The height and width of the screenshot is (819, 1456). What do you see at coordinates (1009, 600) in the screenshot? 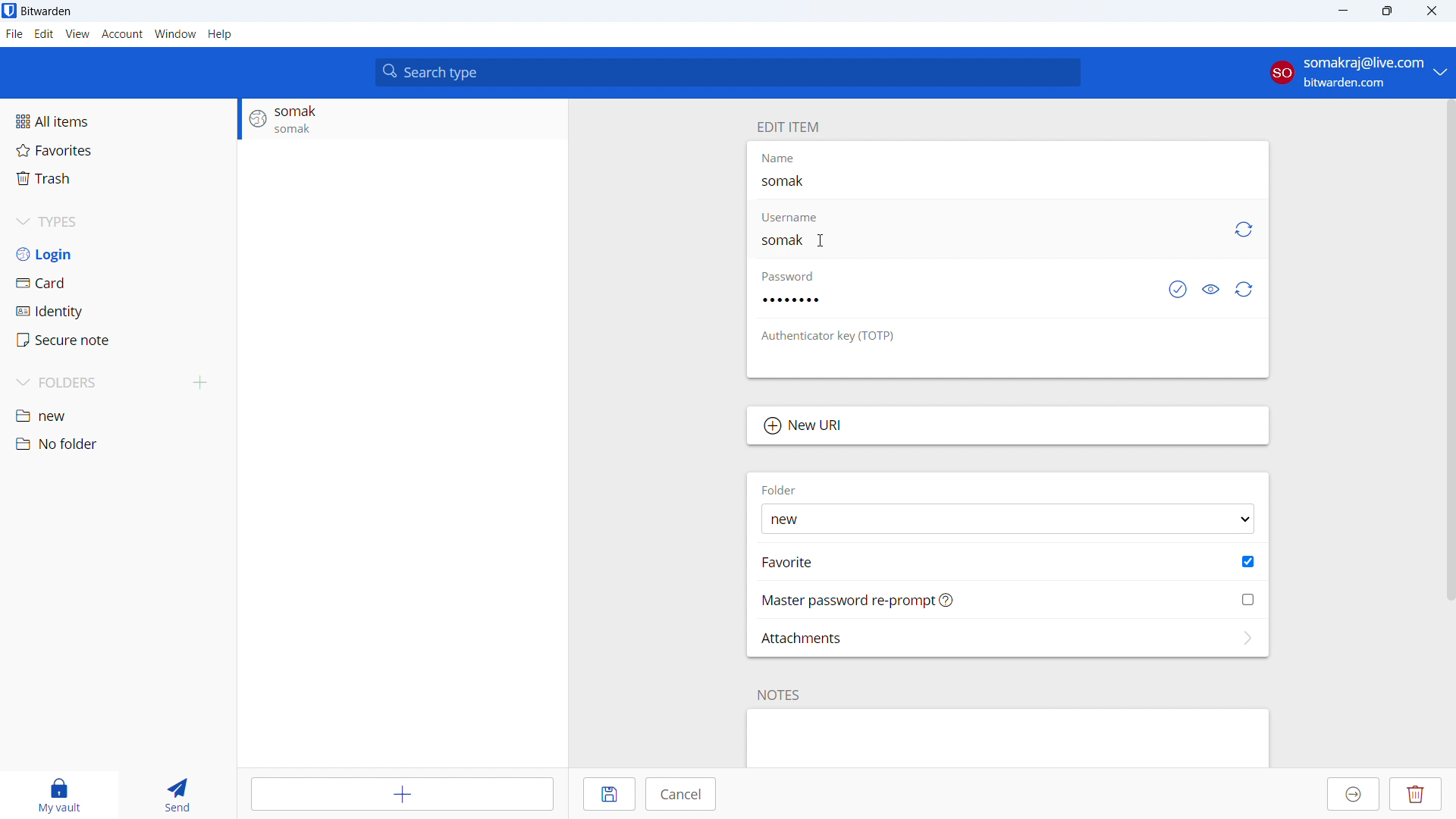
I see `master password ree-prompt` at bounding box center [1009, 600].